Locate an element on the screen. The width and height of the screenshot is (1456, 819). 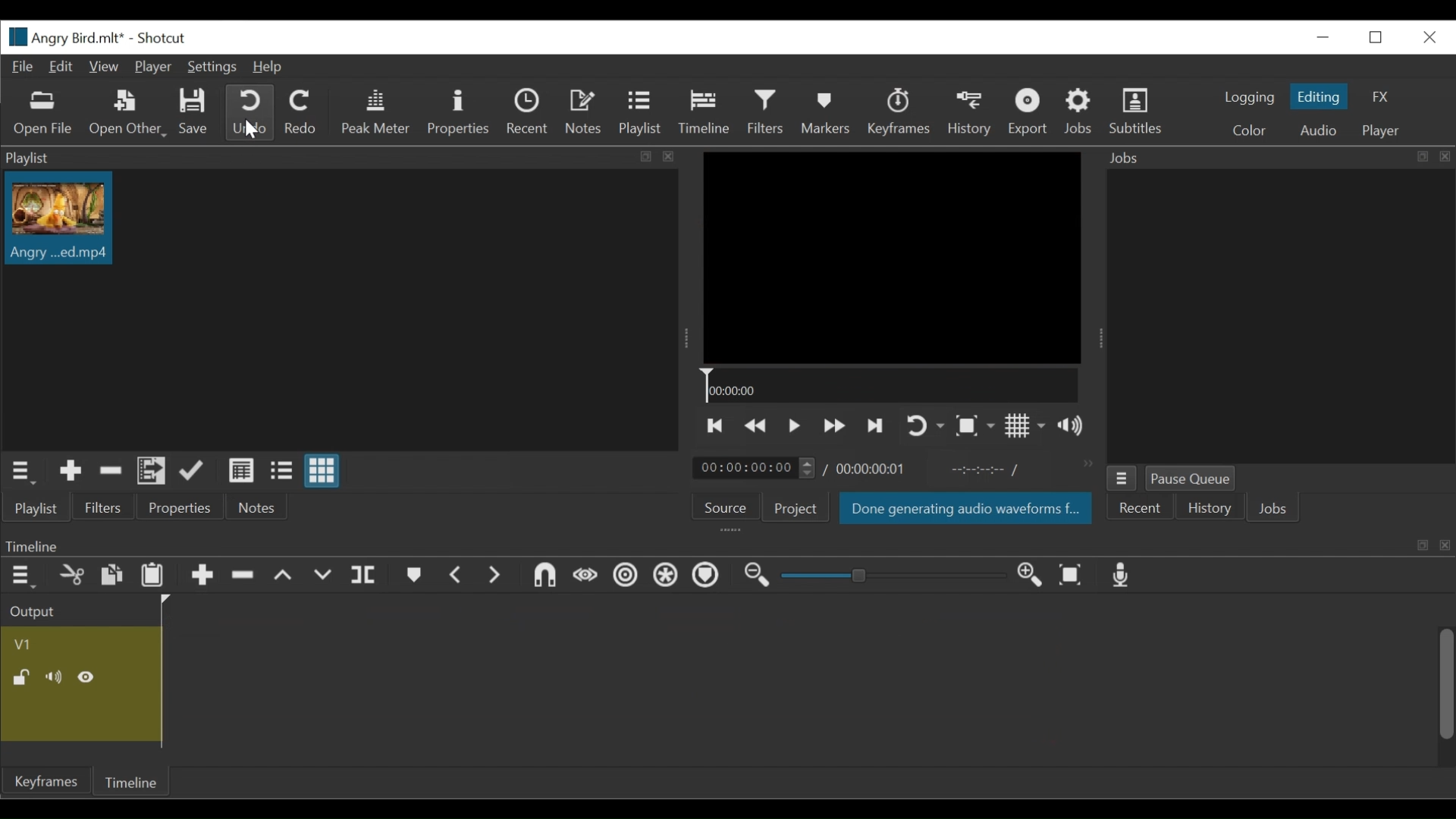
Total duration is located at coordinates (872, 468).